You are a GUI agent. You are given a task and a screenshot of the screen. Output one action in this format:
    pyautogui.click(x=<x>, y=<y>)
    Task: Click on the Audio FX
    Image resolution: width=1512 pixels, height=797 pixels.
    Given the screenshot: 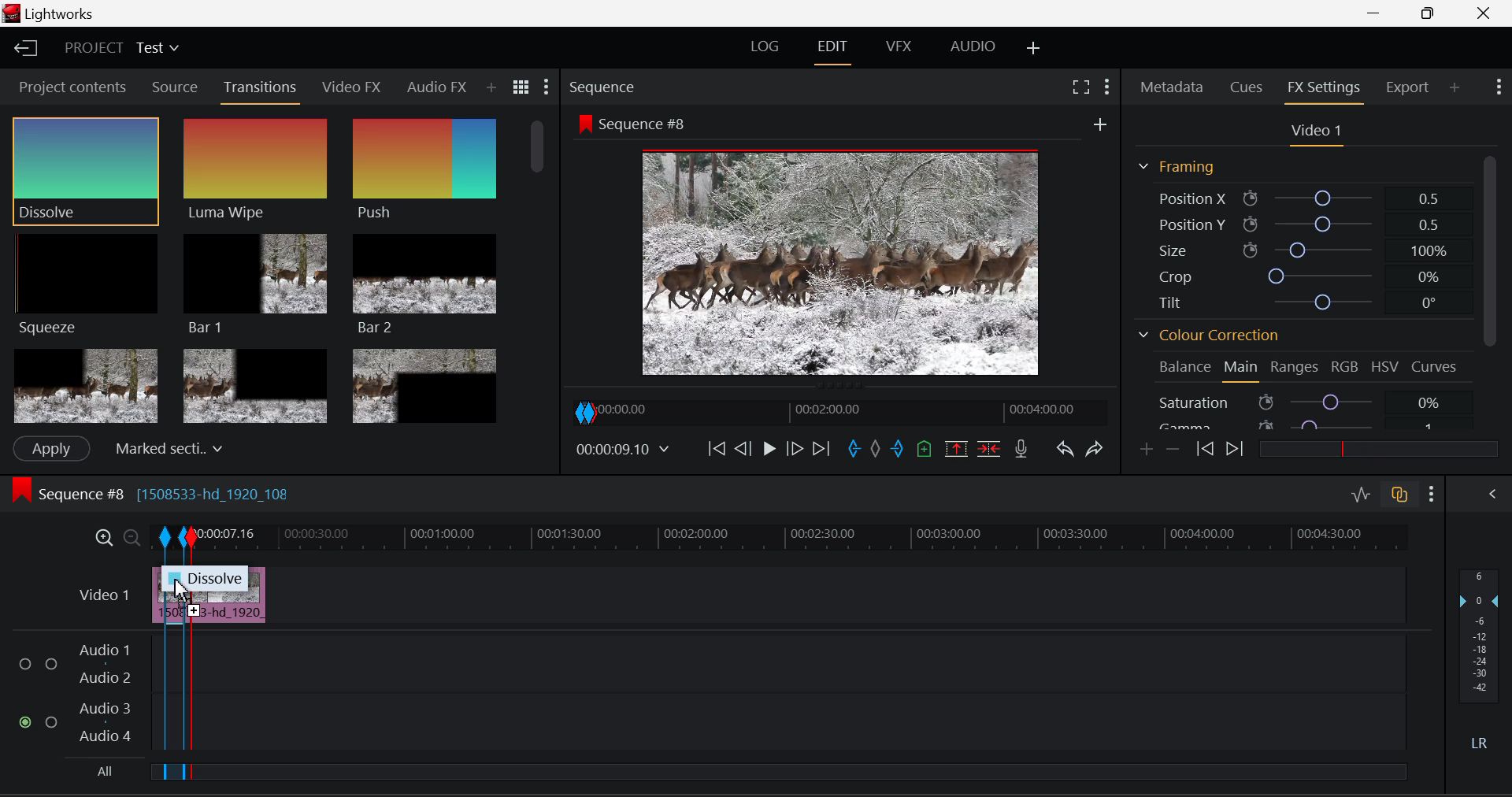 What is the action you would take?
    pyautogui.click(x=437, y=87)
    